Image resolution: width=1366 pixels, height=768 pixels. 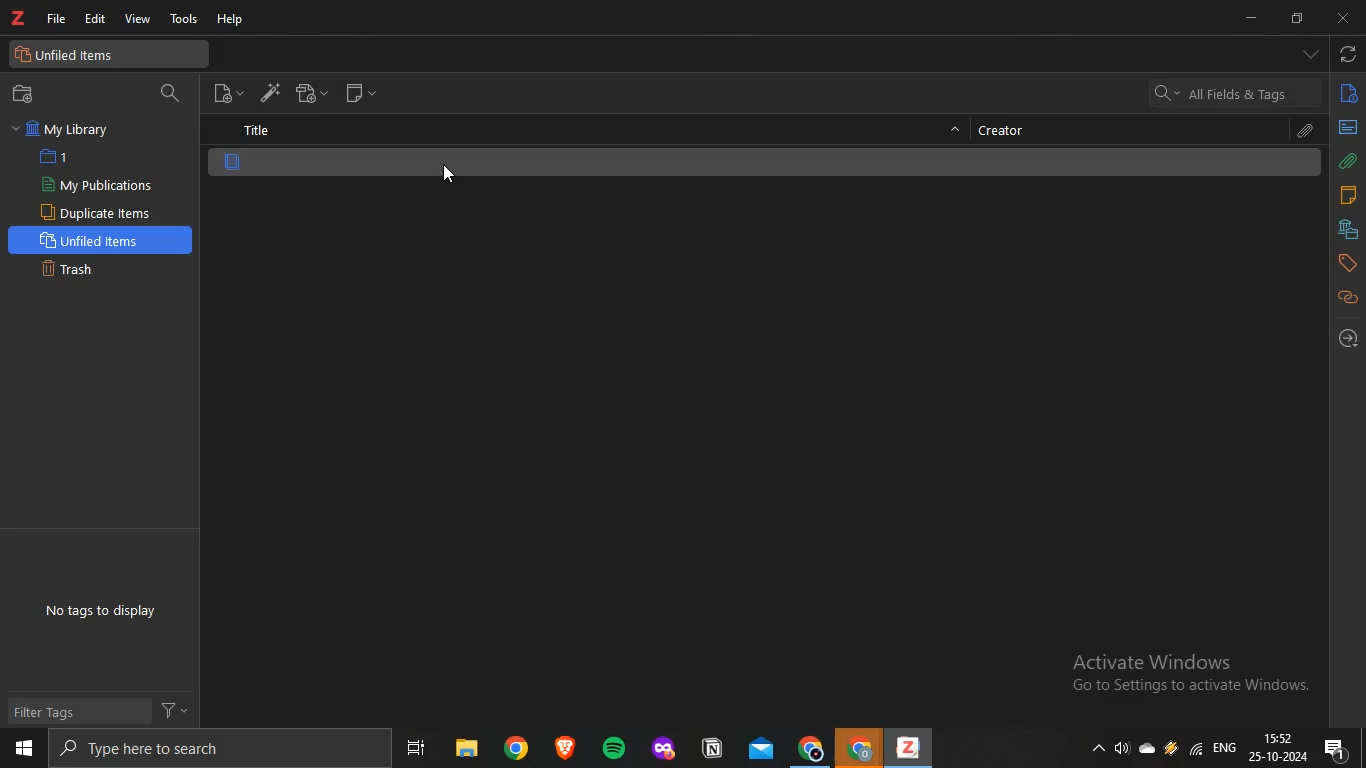 What do you see at coordinates (1348, 195) in the screenshot?
I see `notes` at bounding box center [1348, 195].